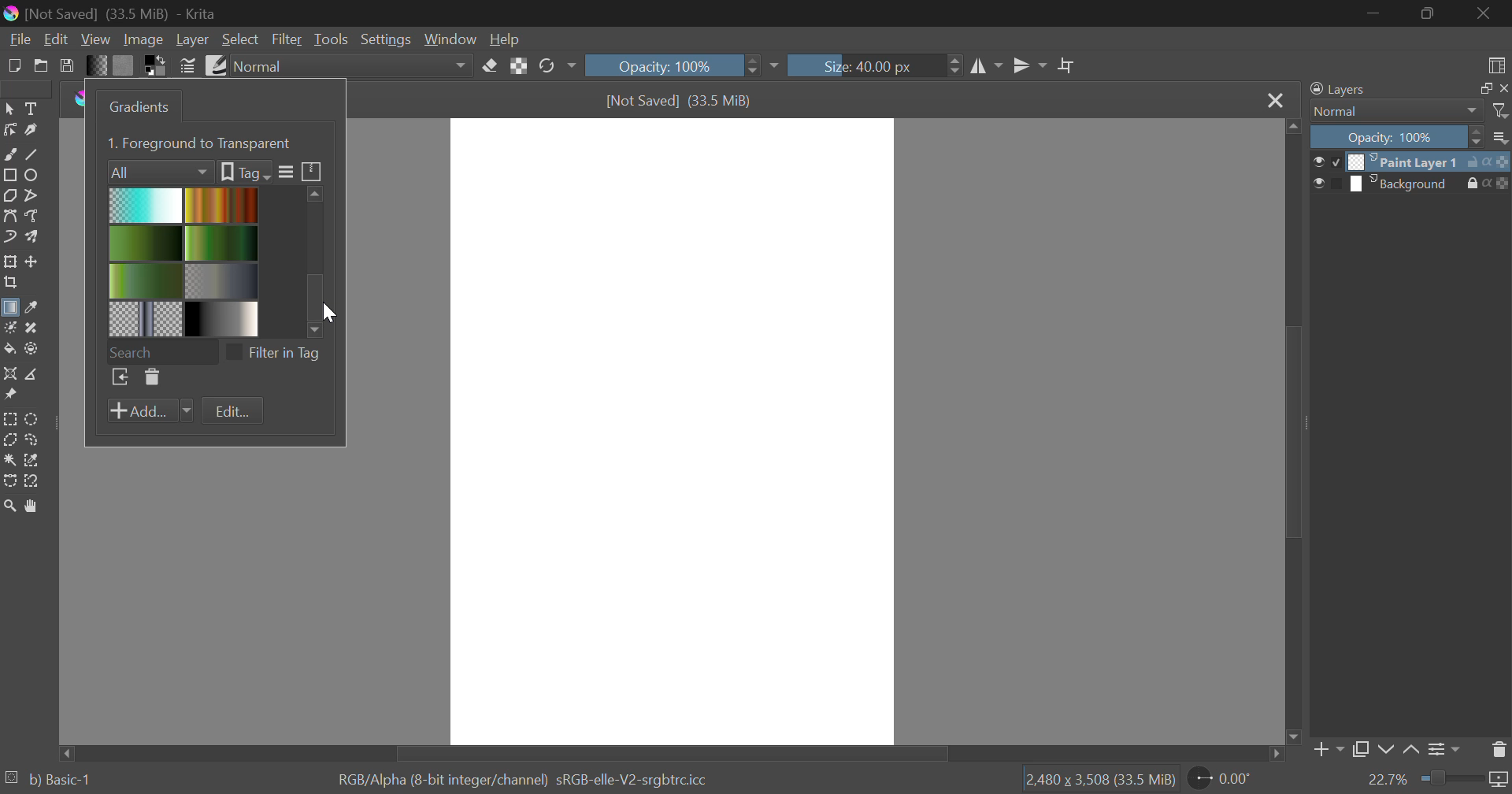  What do you see at coordinates (1375, 13) in the screenshot?
I see `Restore Down` at bounding box center [1375, 13].